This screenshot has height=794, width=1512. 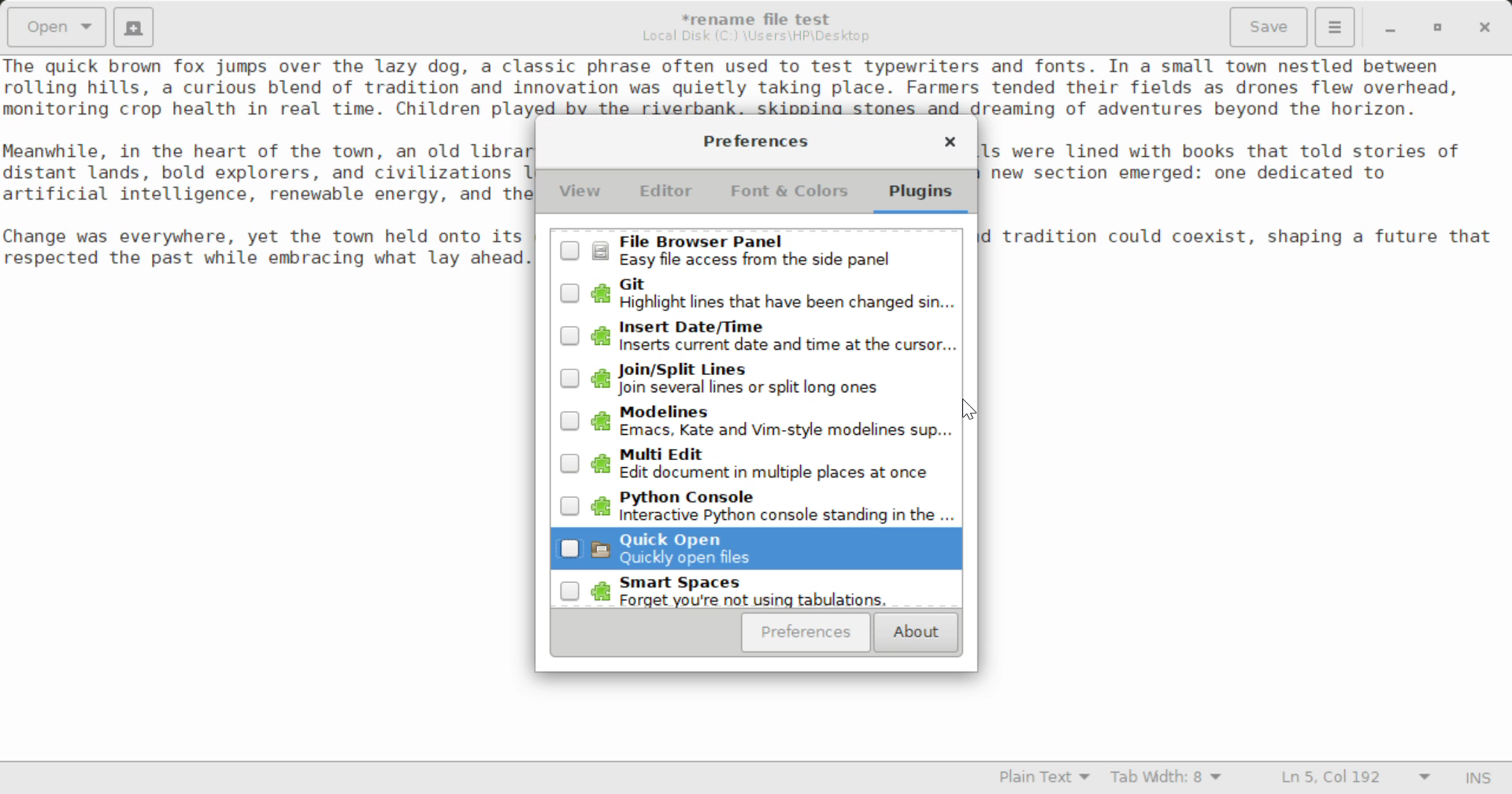 I want to click on Unselected Insert Date/Time Plugin, so click(x=753, y=333).